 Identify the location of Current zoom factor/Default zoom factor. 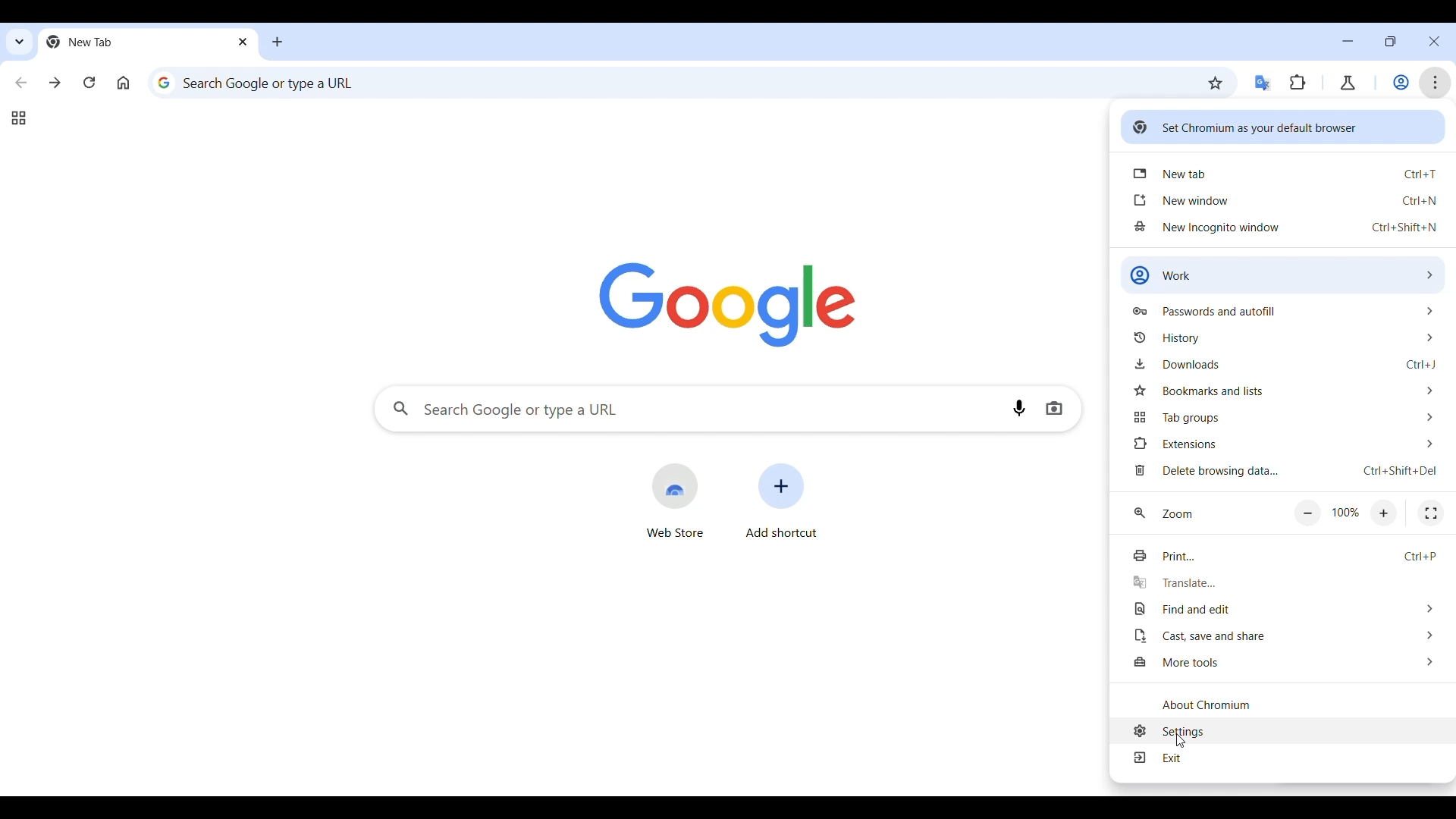
(1346, 513).